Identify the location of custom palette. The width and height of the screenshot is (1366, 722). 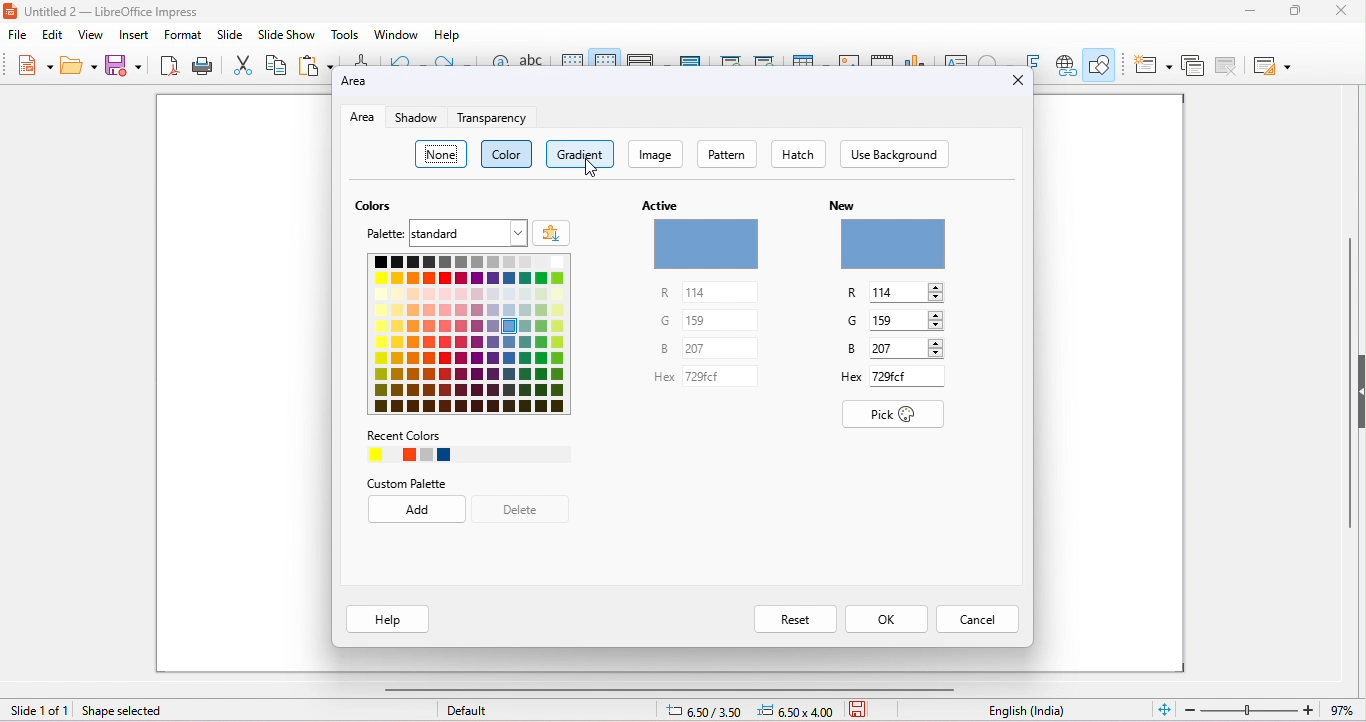
(414, 479).